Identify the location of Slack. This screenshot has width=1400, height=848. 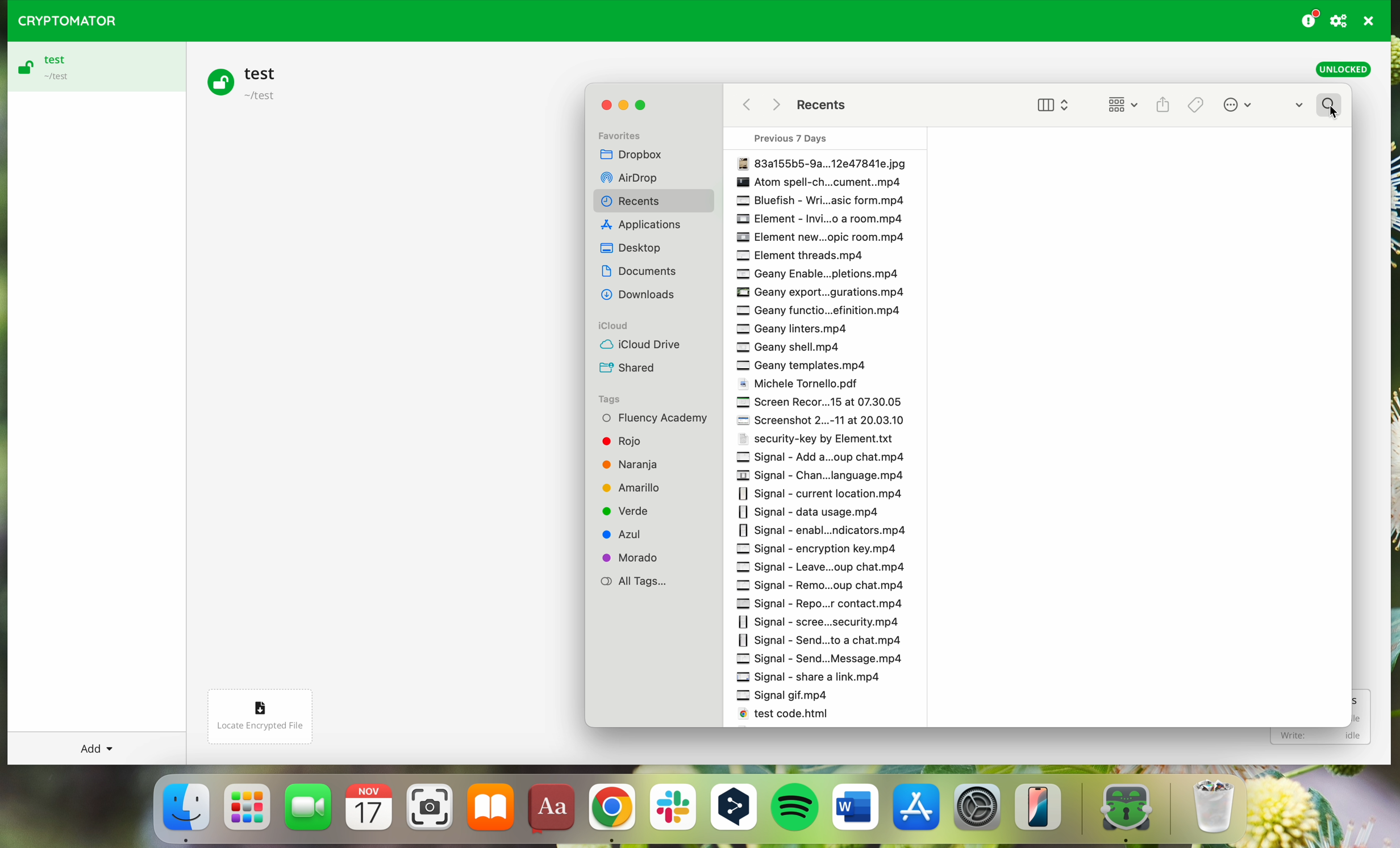
(672, 812).